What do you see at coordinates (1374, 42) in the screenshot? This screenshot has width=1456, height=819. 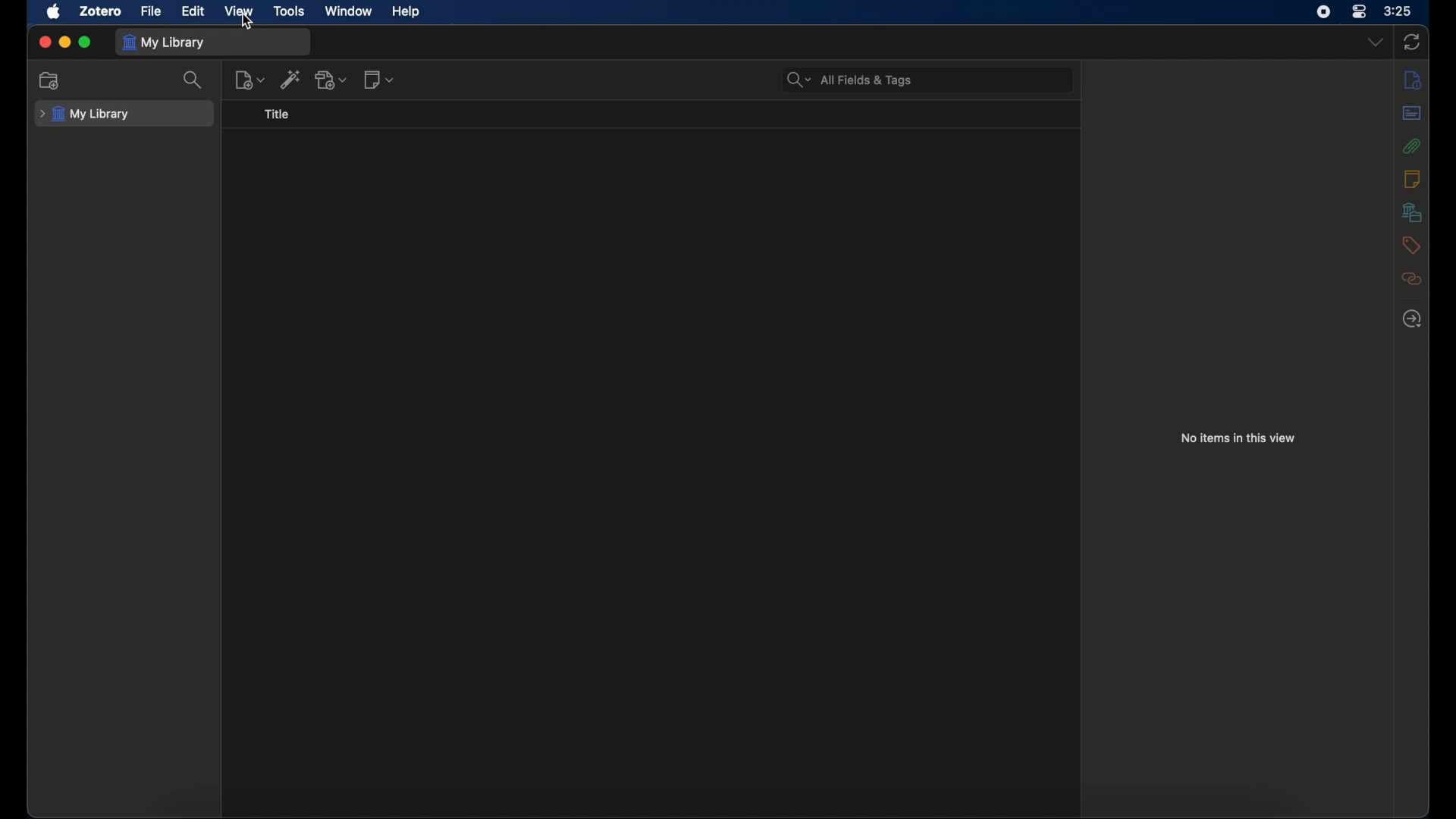 I see `dropdown` at bounding box center [1374, 42].